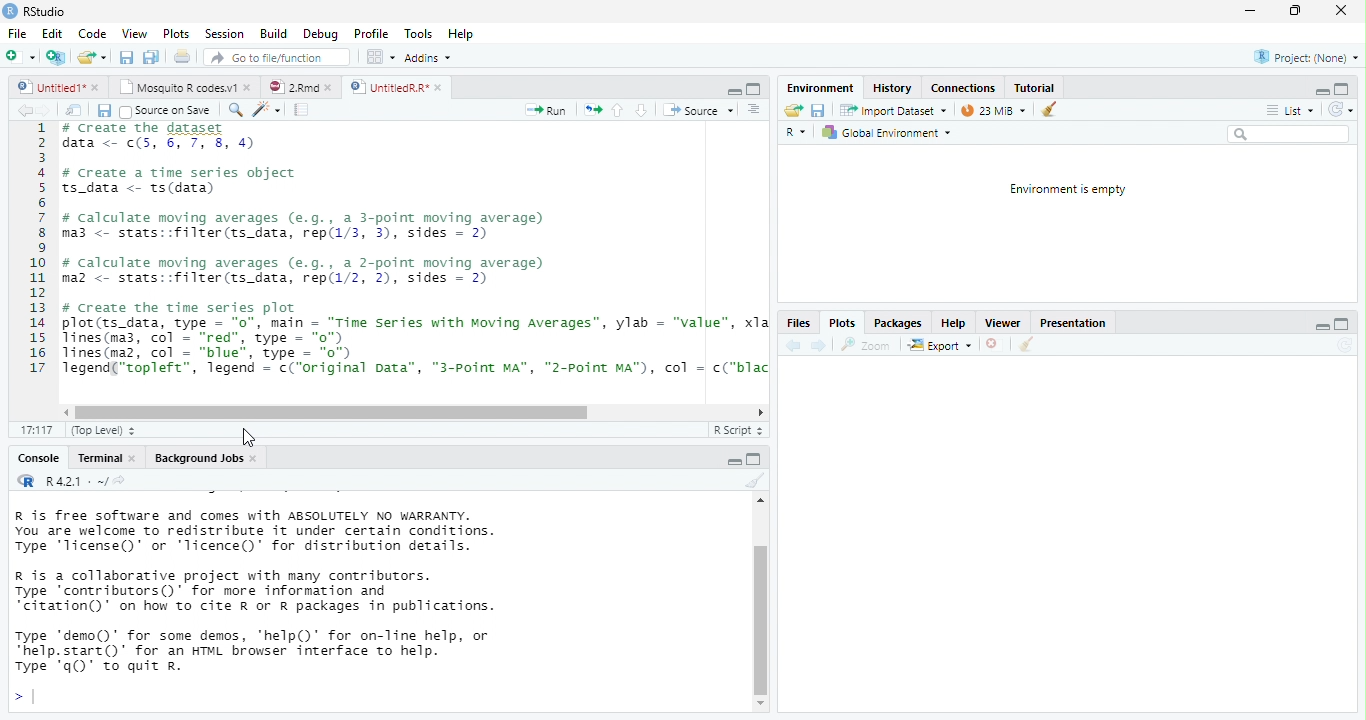  I want to click on clear, so click(1049, 108).